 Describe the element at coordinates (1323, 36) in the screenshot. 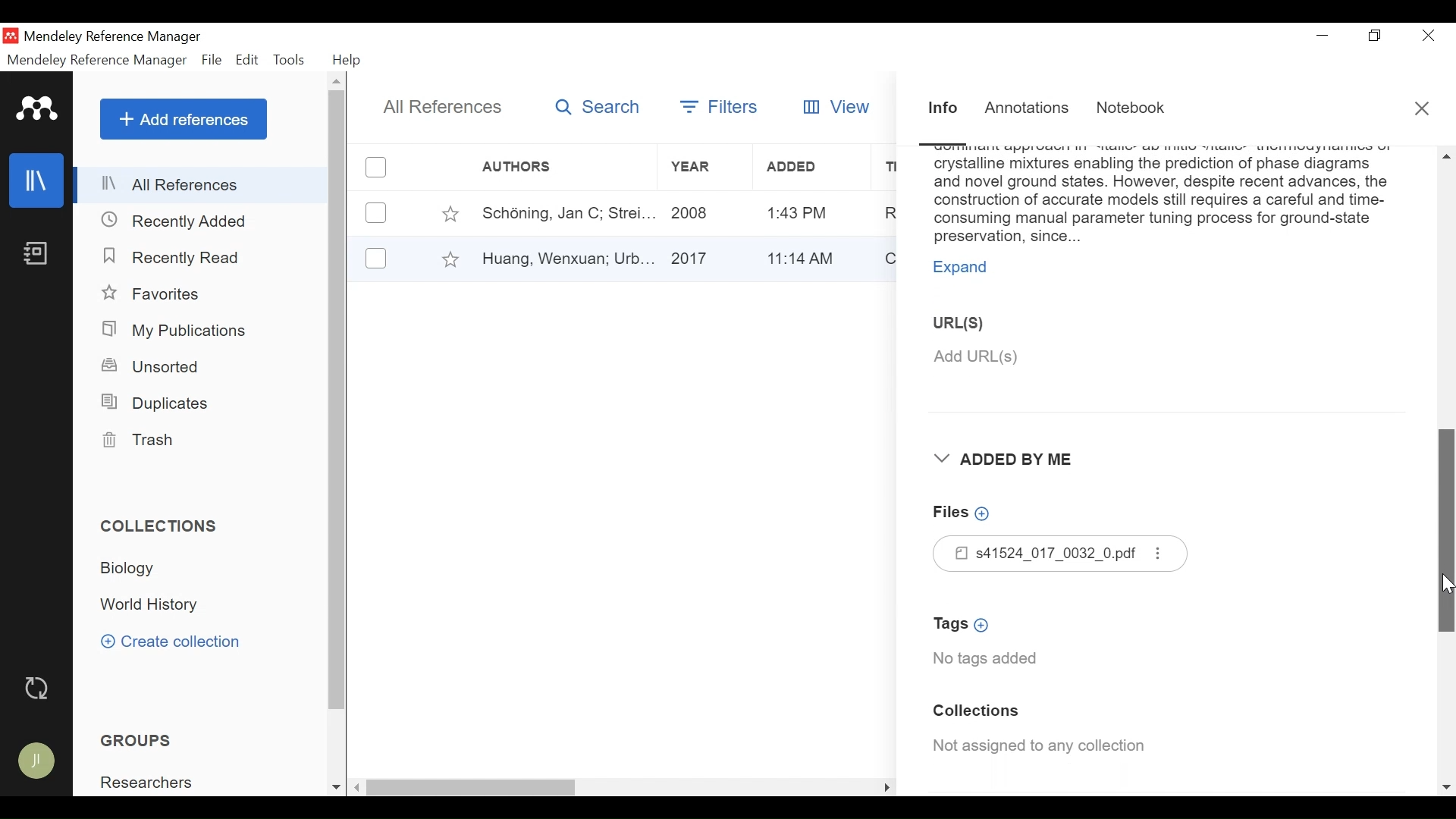

I see `minimize` at that location.